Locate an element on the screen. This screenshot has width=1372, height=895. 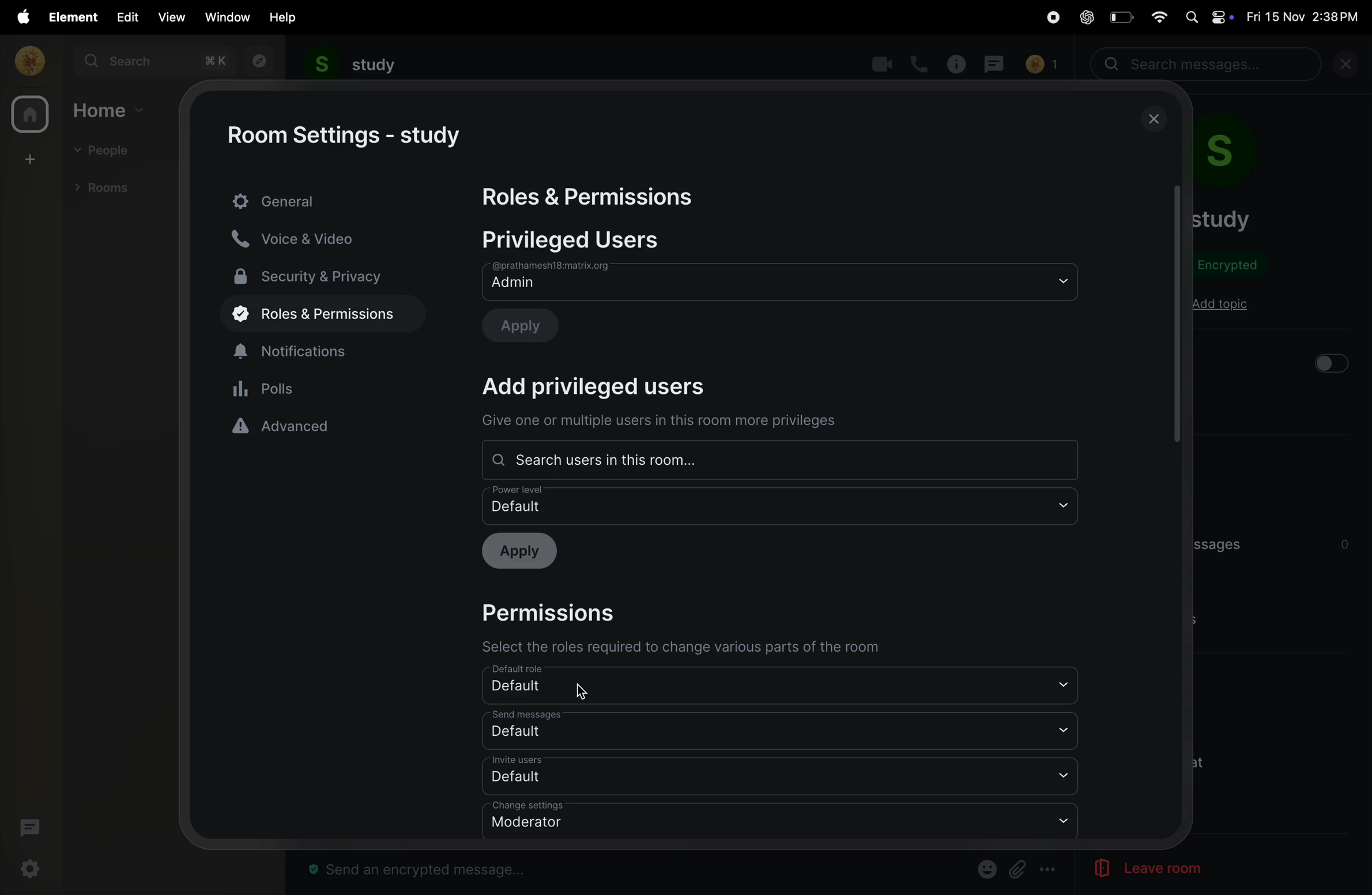
threads is located at coordinates (29, 830).